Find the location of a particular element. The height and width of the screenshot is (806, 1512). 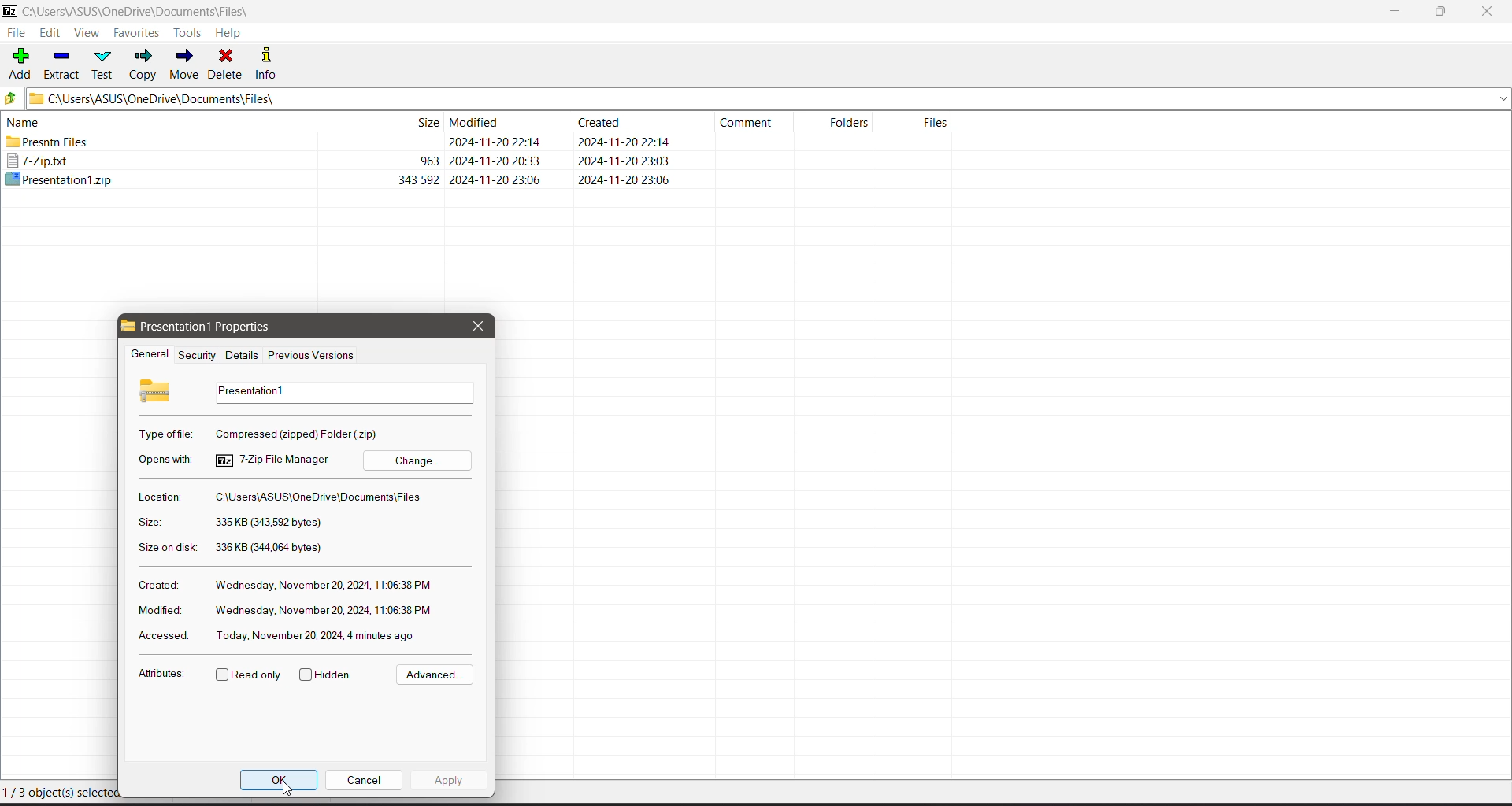

Close is located at coordinates (477, 326).